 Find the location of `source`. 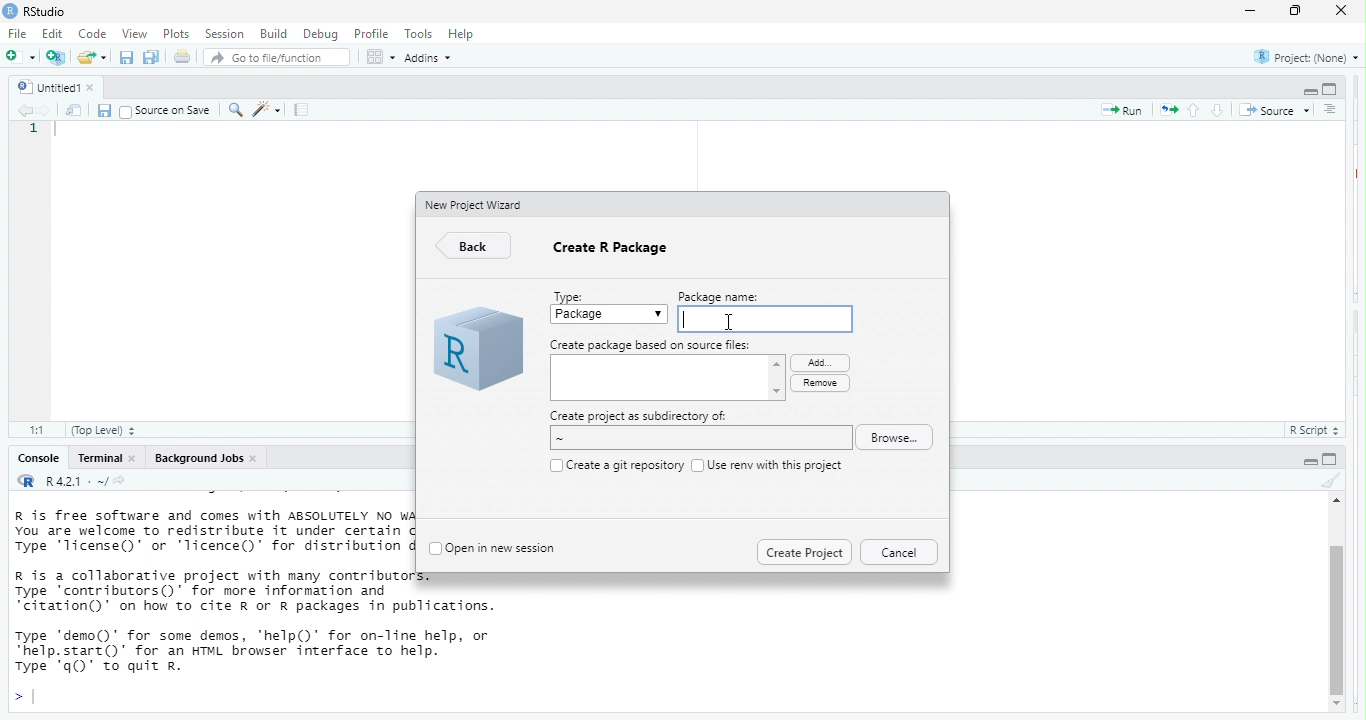

source is located at coordinates (1274, 108).